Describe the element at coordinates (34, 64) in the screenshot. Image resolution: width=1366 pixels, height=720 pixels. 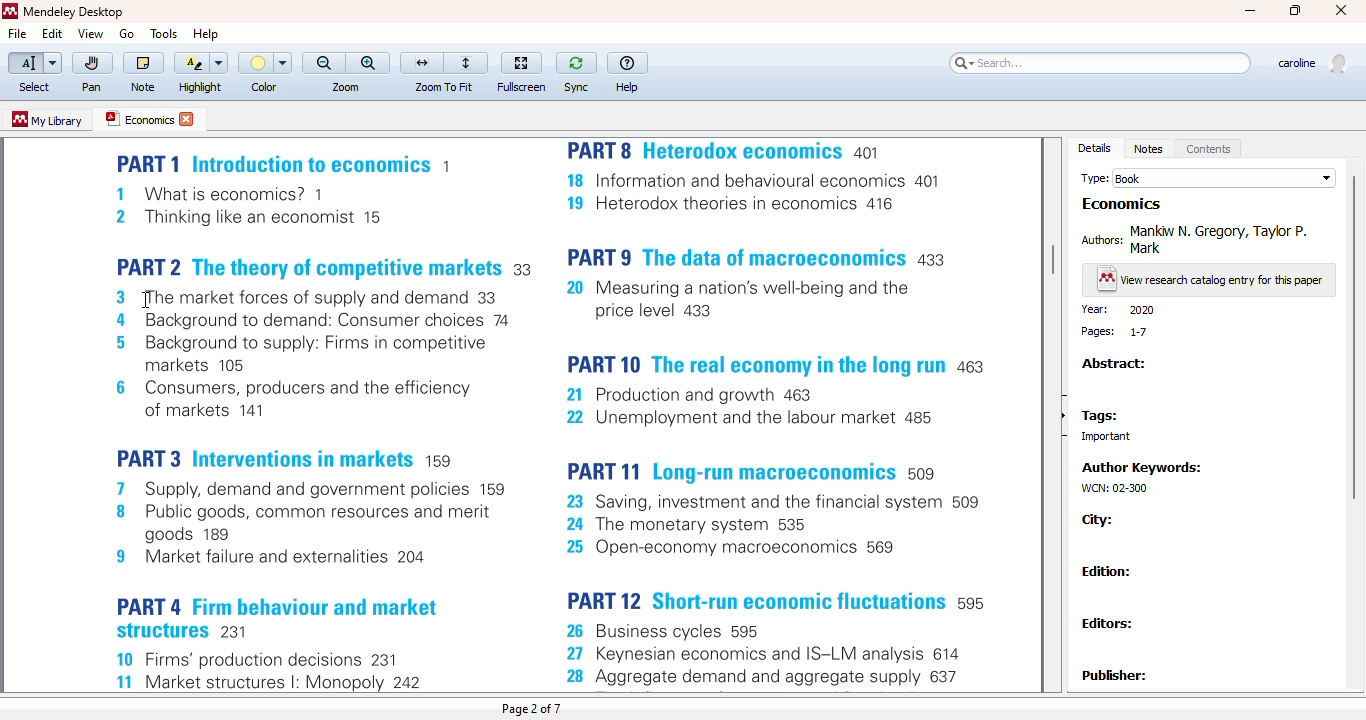
I see `select` at that location.